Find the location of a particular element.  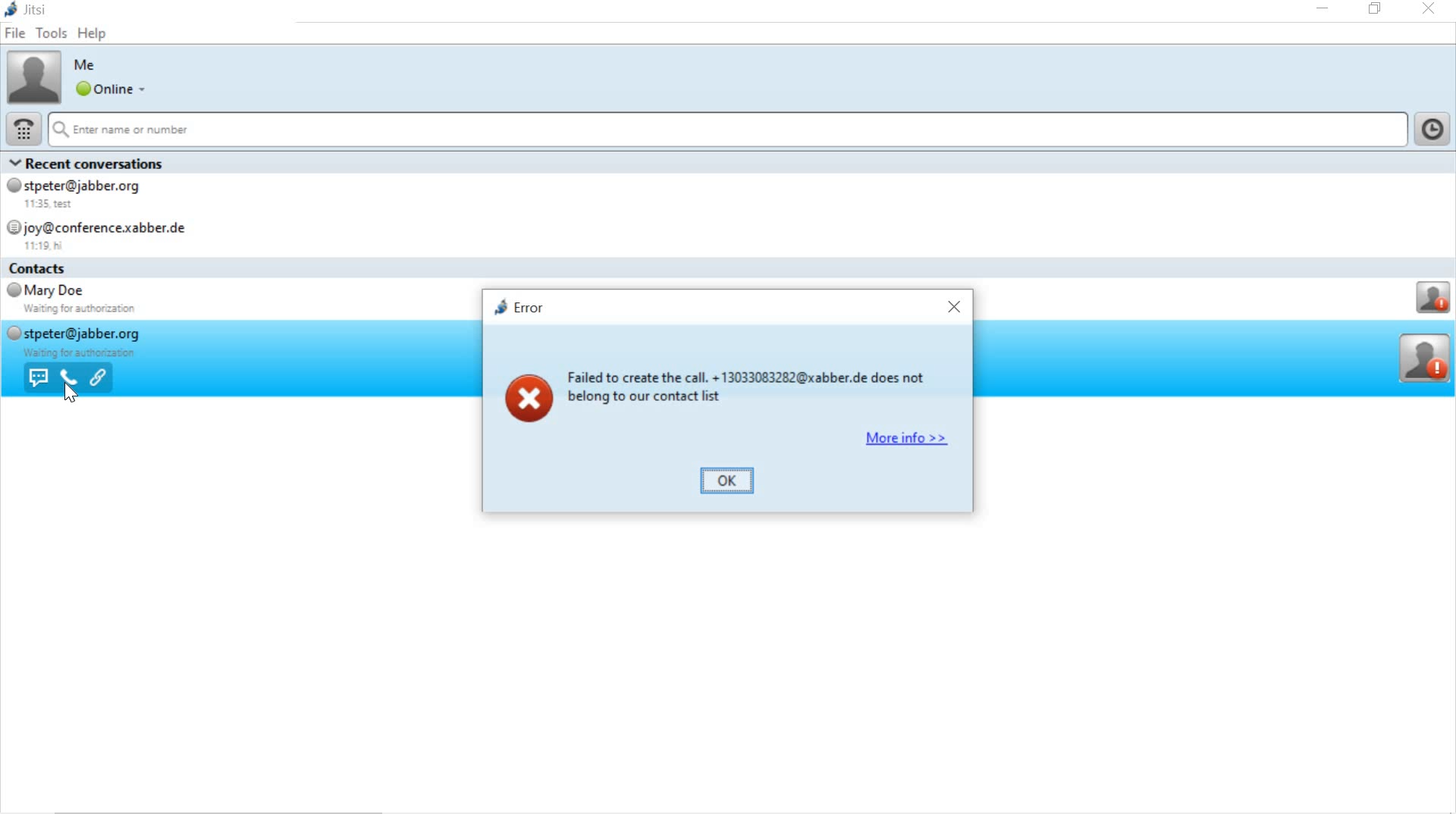

Me is located at coordinates (88, 65).